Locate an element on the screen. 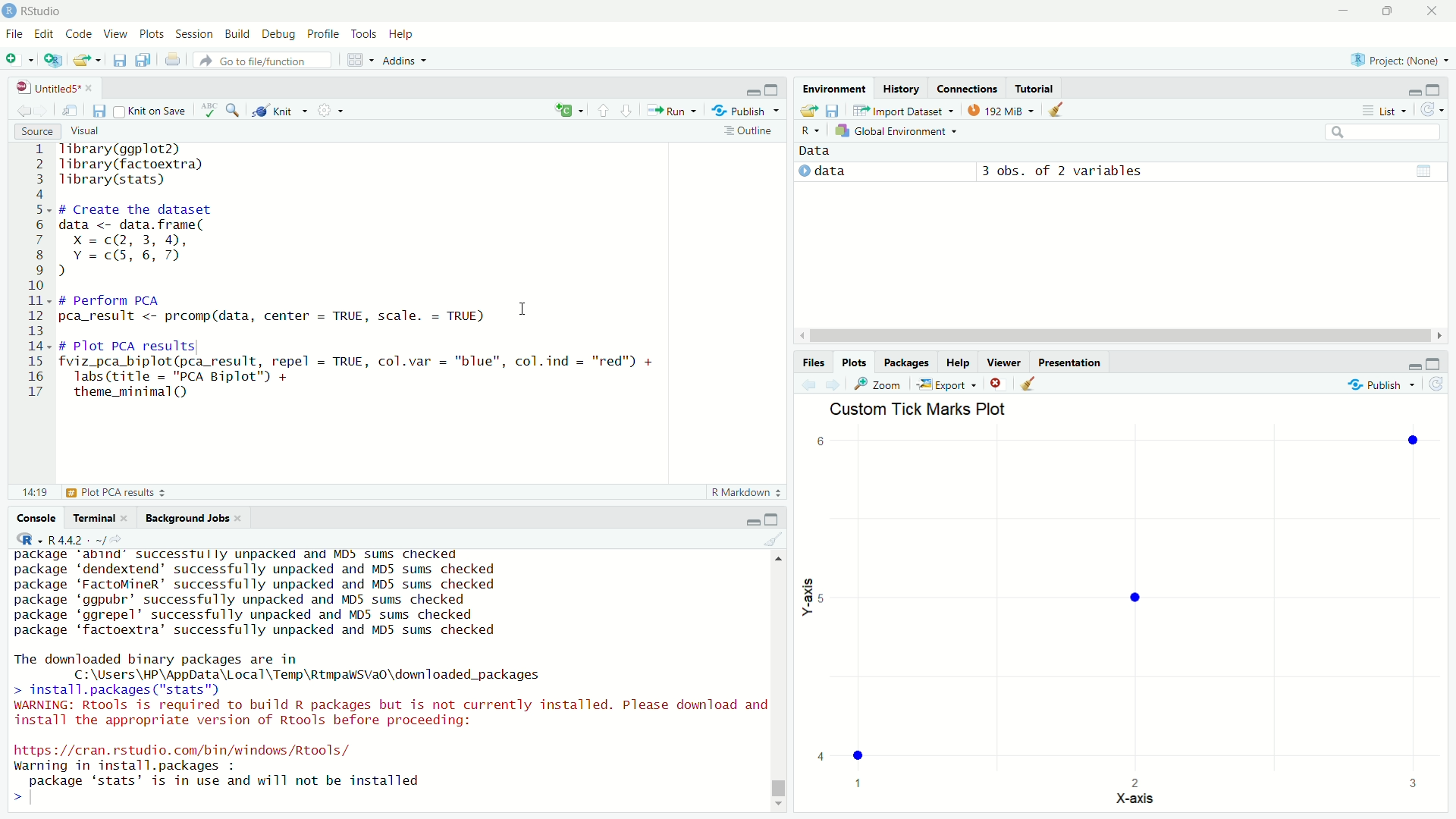 The width and height of the screenshot is (1456, 819). data is located at coordinates (827, 172).